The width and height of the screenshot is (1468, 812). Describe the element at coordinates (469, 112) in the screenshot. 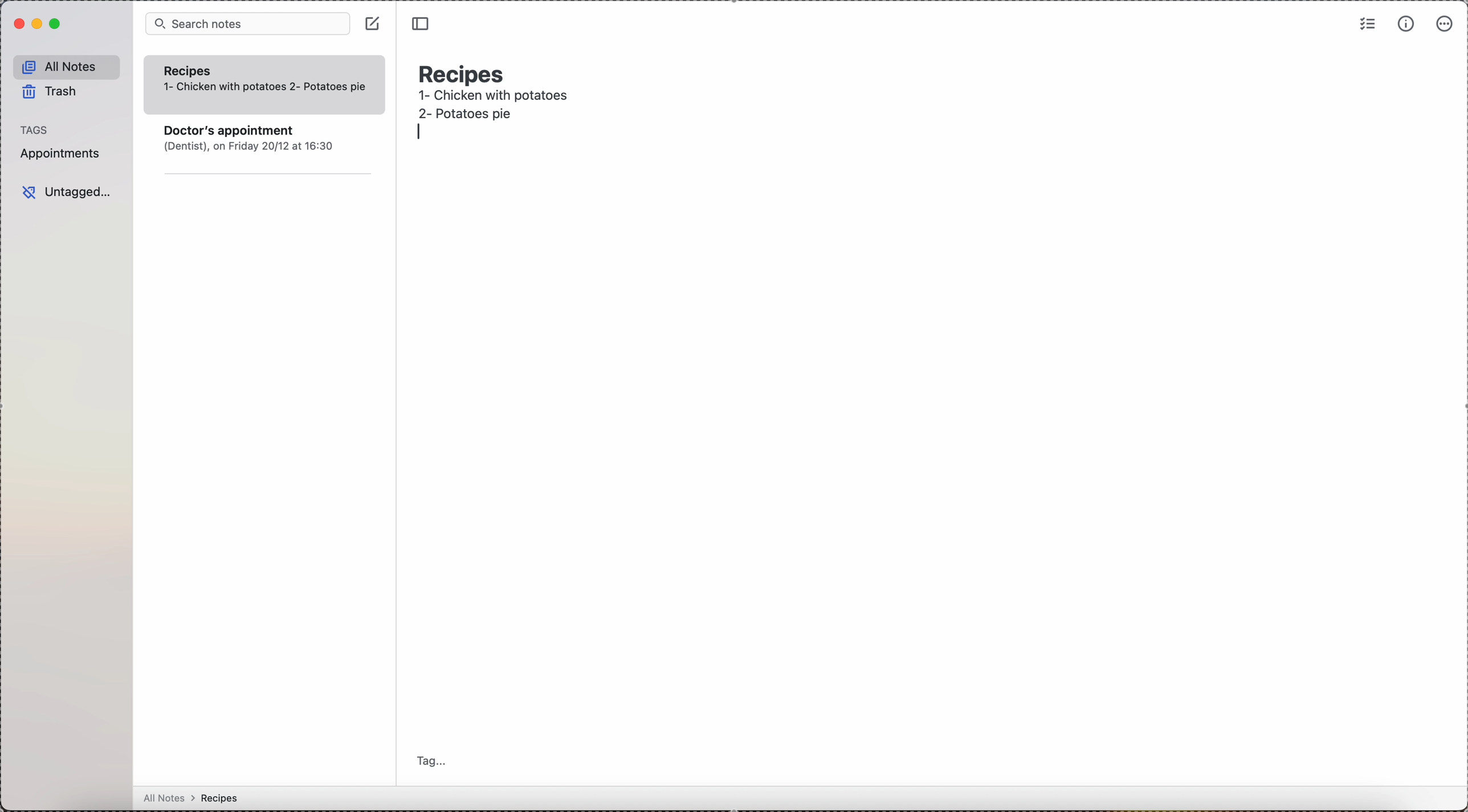

I see `second recipe` at that location.